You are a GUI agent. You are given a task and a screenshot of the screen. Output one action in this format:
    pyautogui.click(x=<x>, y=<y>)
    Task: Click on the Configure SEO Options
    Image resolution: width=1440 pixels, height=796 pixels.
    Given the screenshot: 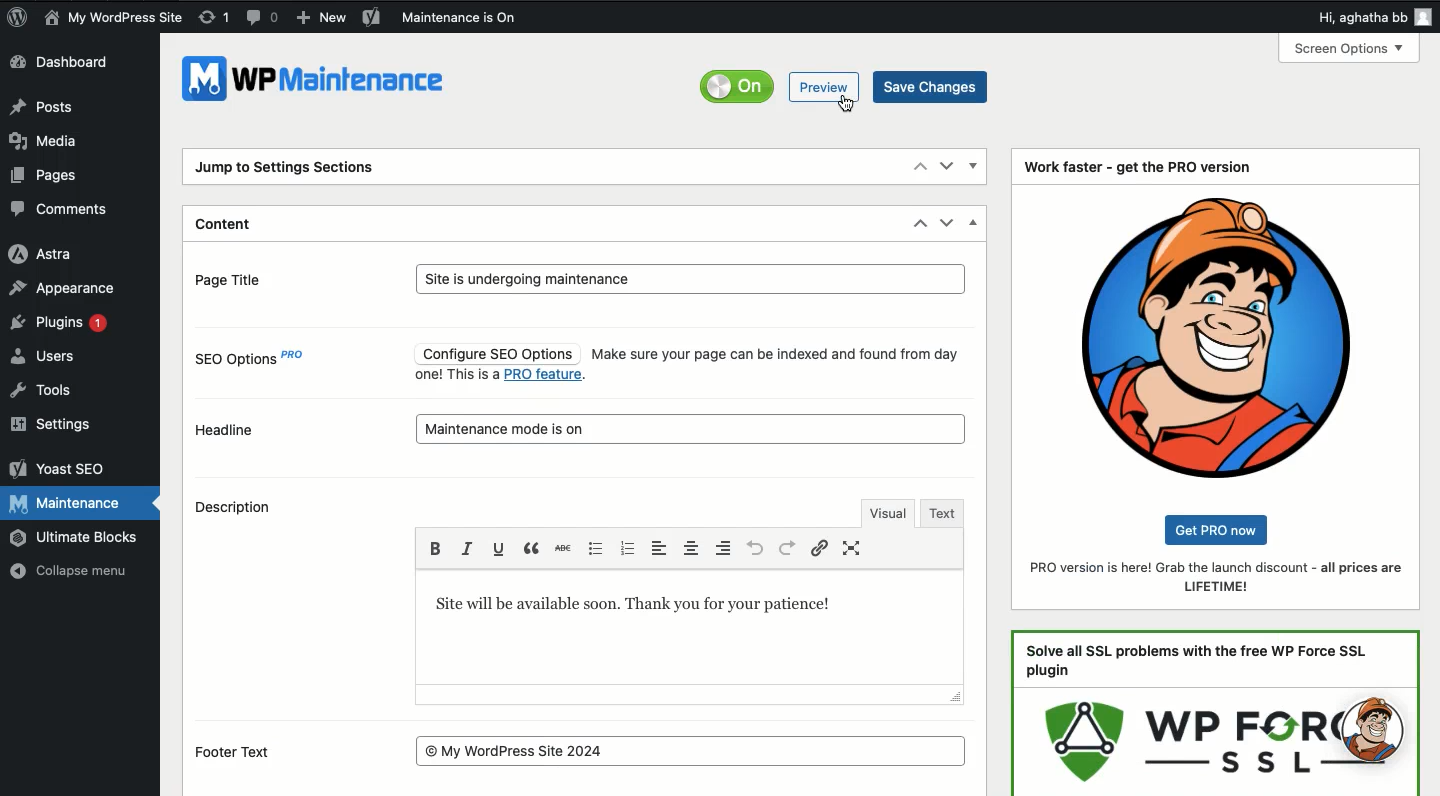 What is the action you would take?
    pyautogui.click(x=495, y=353)
    